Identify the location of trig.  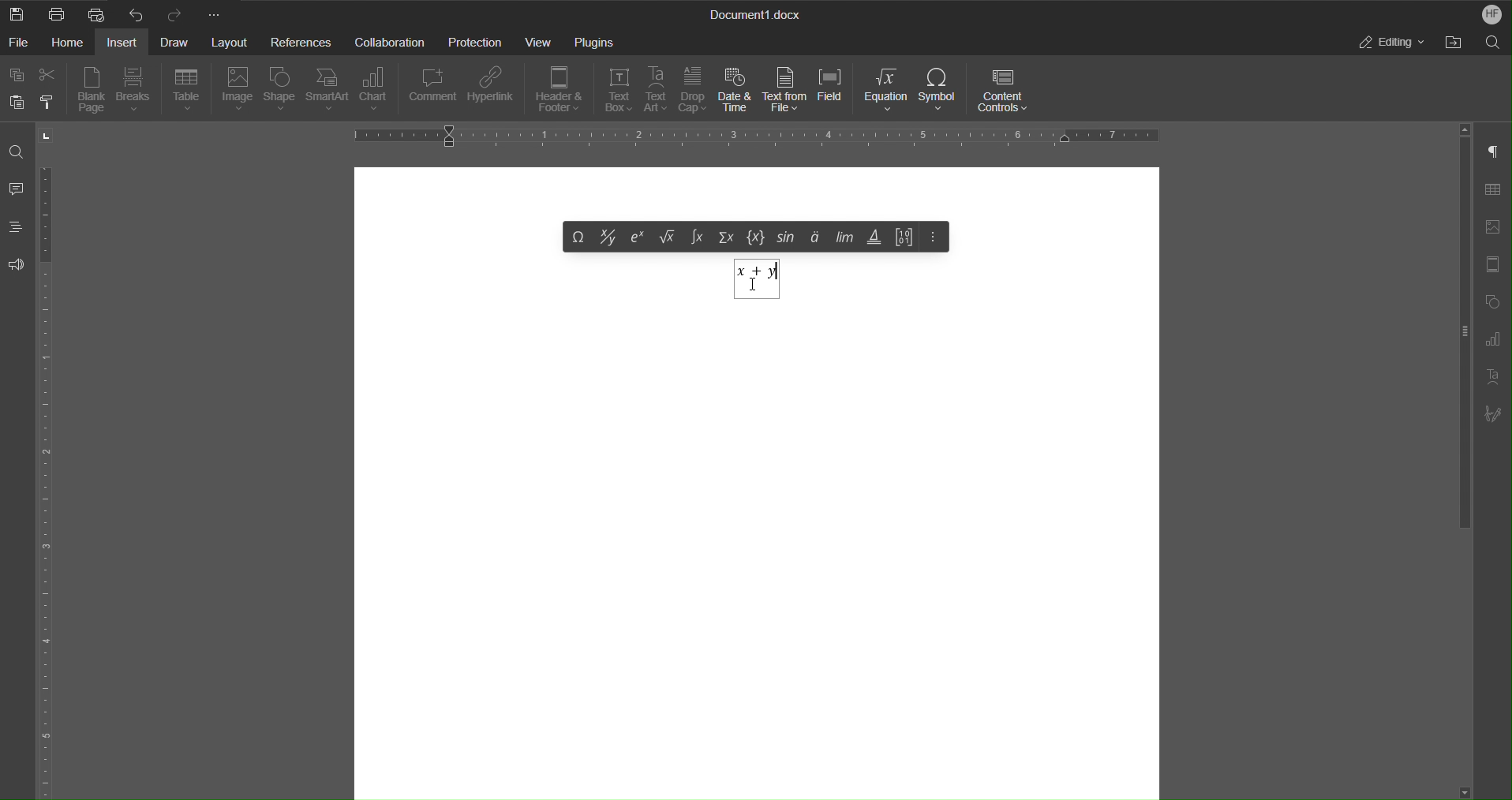
(788, 237).